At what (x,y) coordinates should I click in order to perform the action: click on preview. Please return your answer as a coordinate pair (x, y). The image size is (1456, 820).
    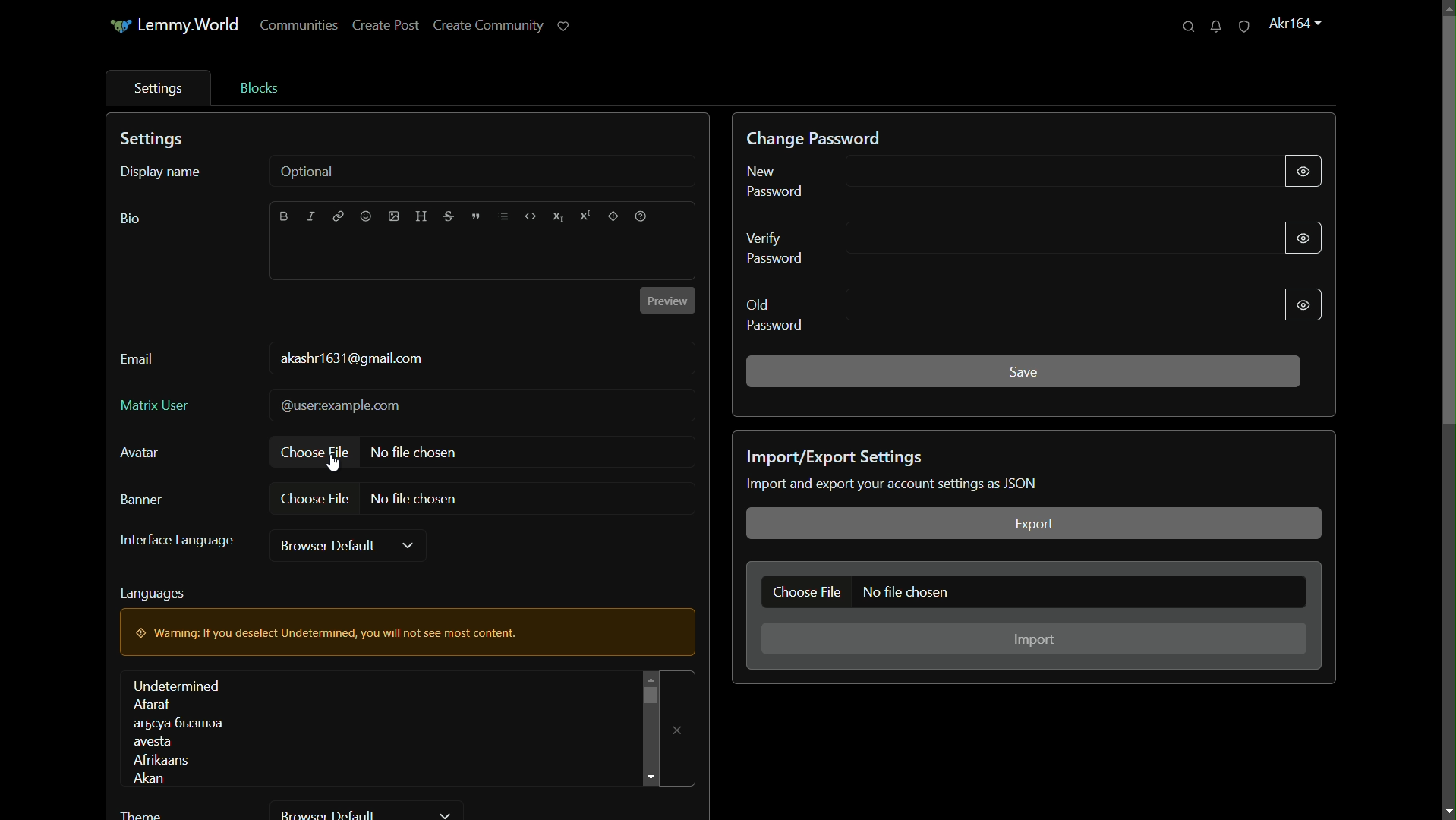
    Looking at the image, I should click on (666, 301).